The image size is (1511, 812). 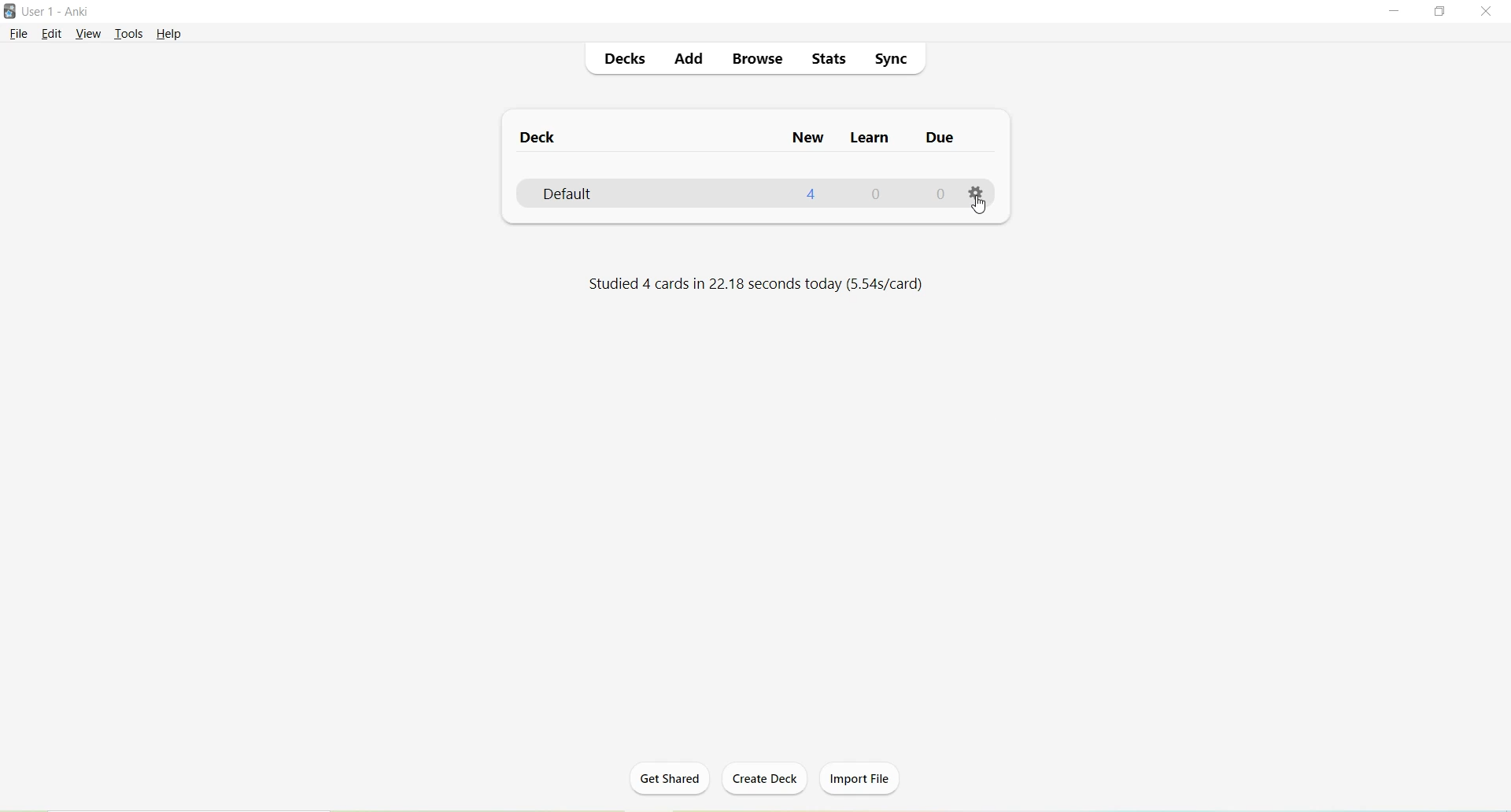 I want to click on Minimize, so click(x=1397, y=12).